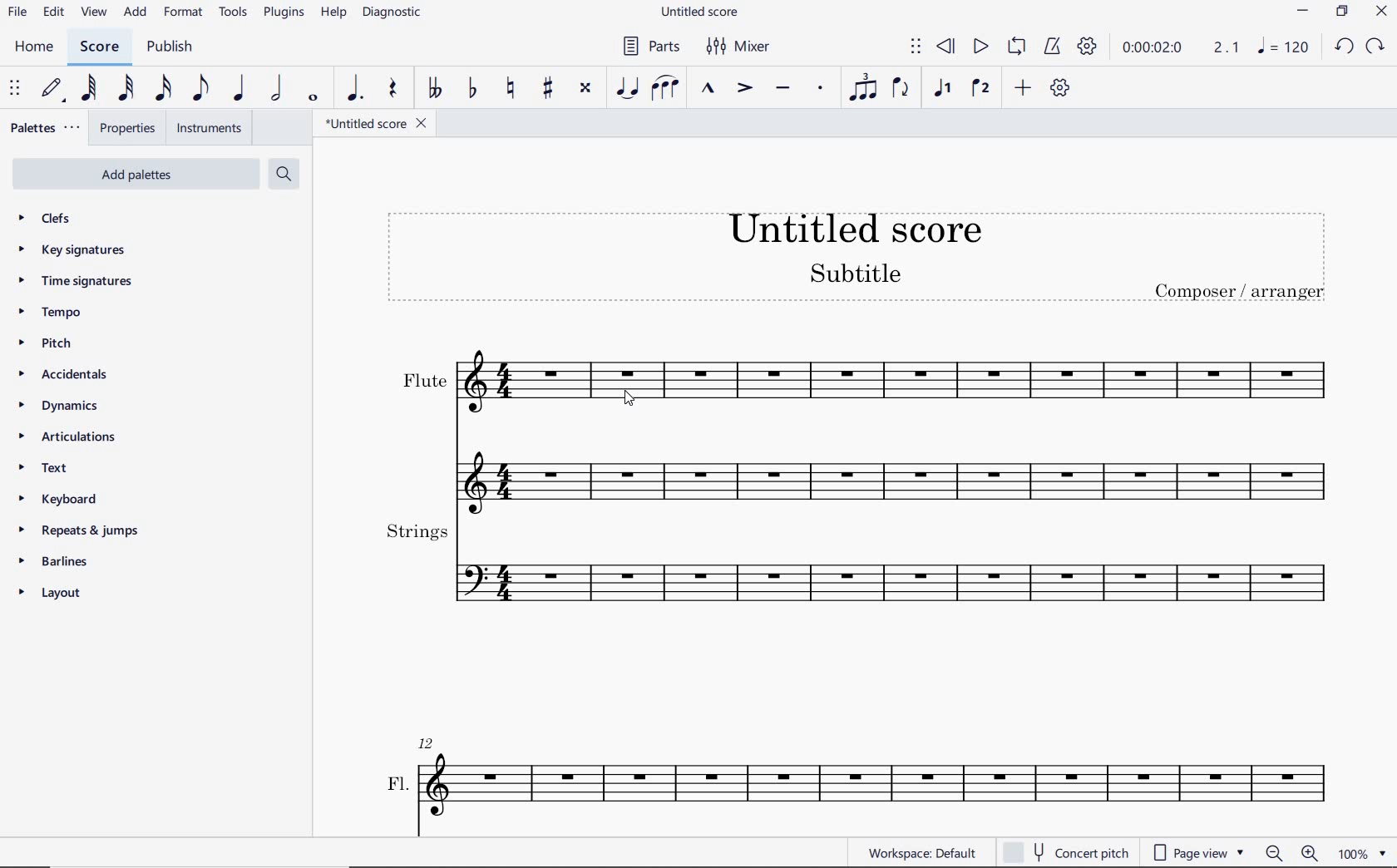 This screenshot has height=868, width=1397. Describe the element at coordinates (1182, 50) in the screenshot. I see `PLAY TIME` at that location.